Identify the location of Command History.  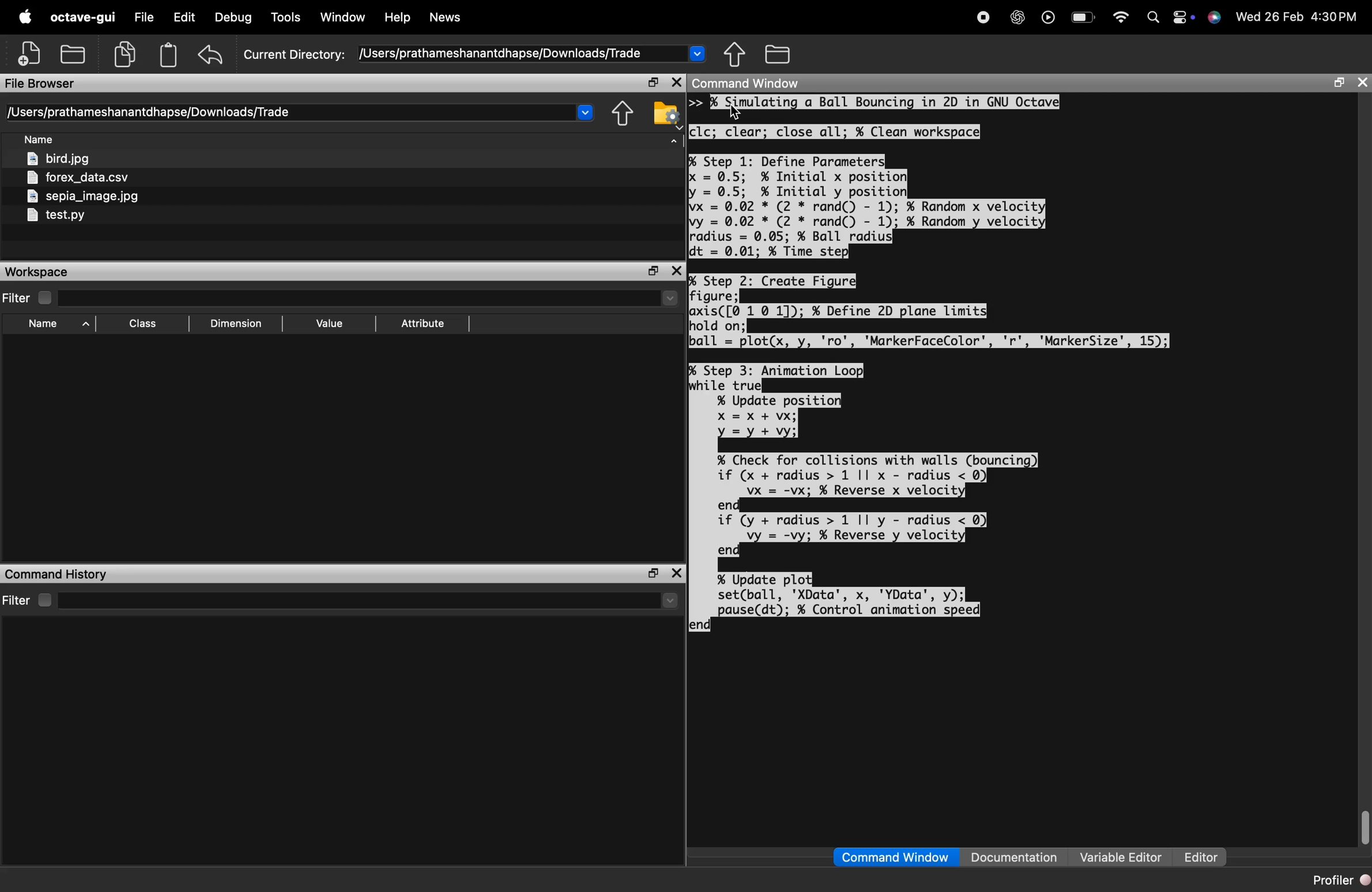
(55, 575).